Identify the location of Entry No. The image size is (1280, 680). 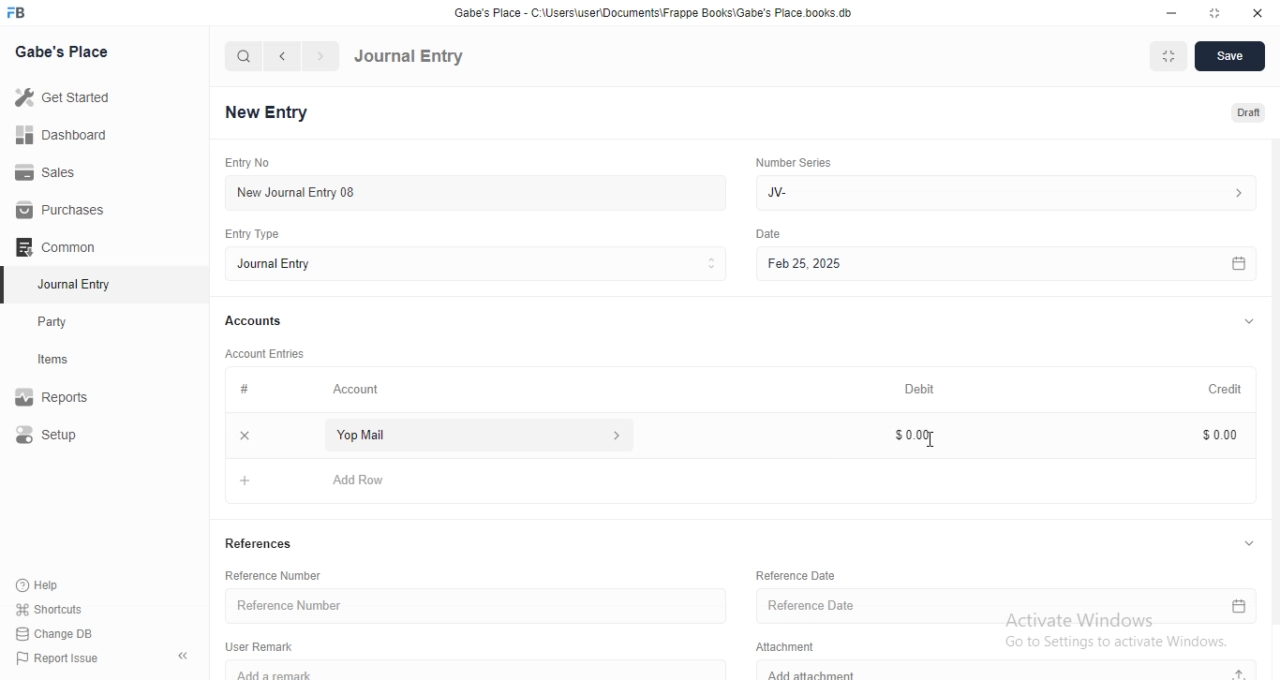
(245, 161).